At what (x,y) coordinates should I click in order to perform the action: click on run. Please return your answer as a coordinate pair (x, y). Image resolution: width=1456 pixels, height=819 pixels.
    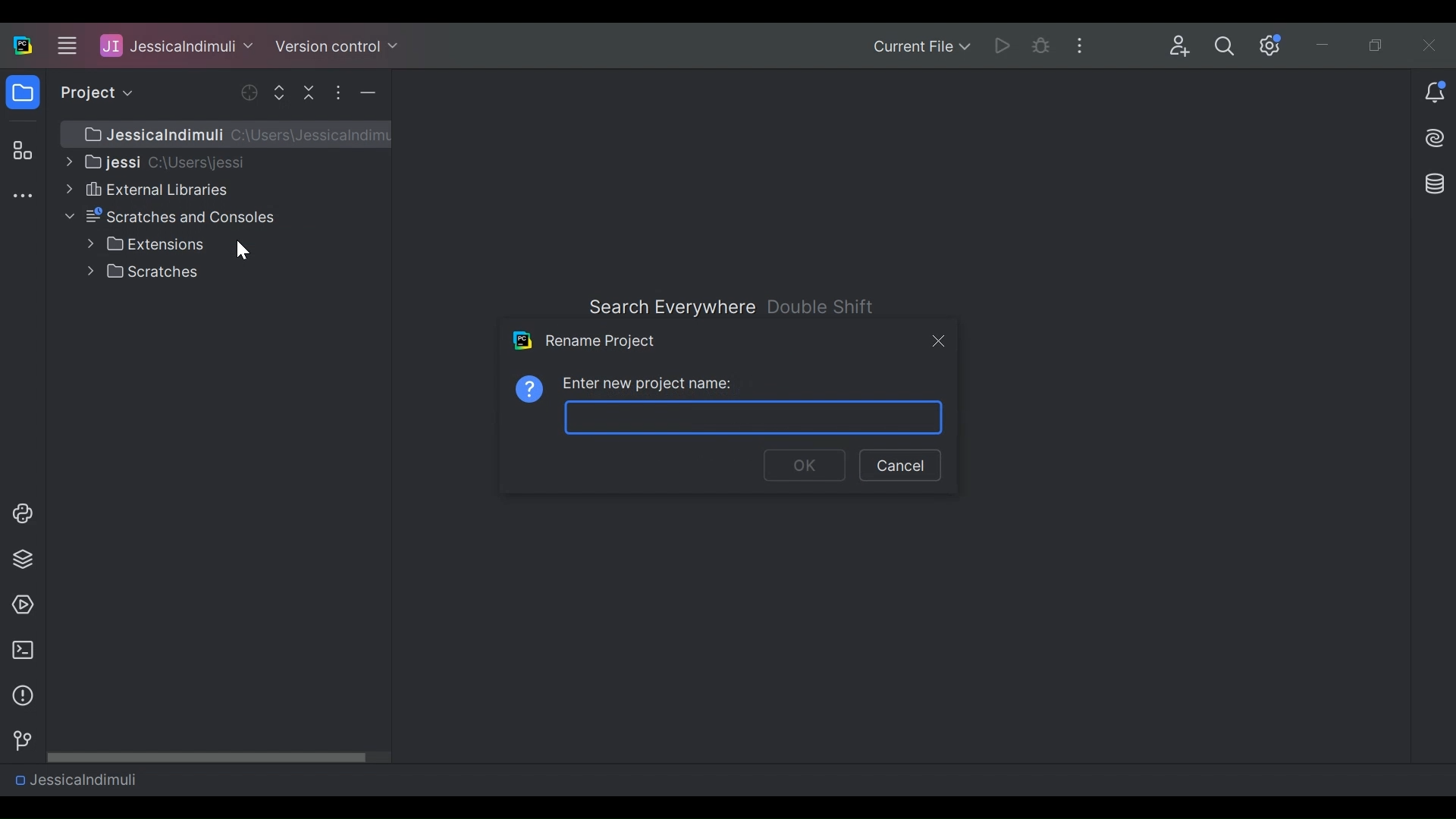
    Looking at the image, I should click on (19, 605).